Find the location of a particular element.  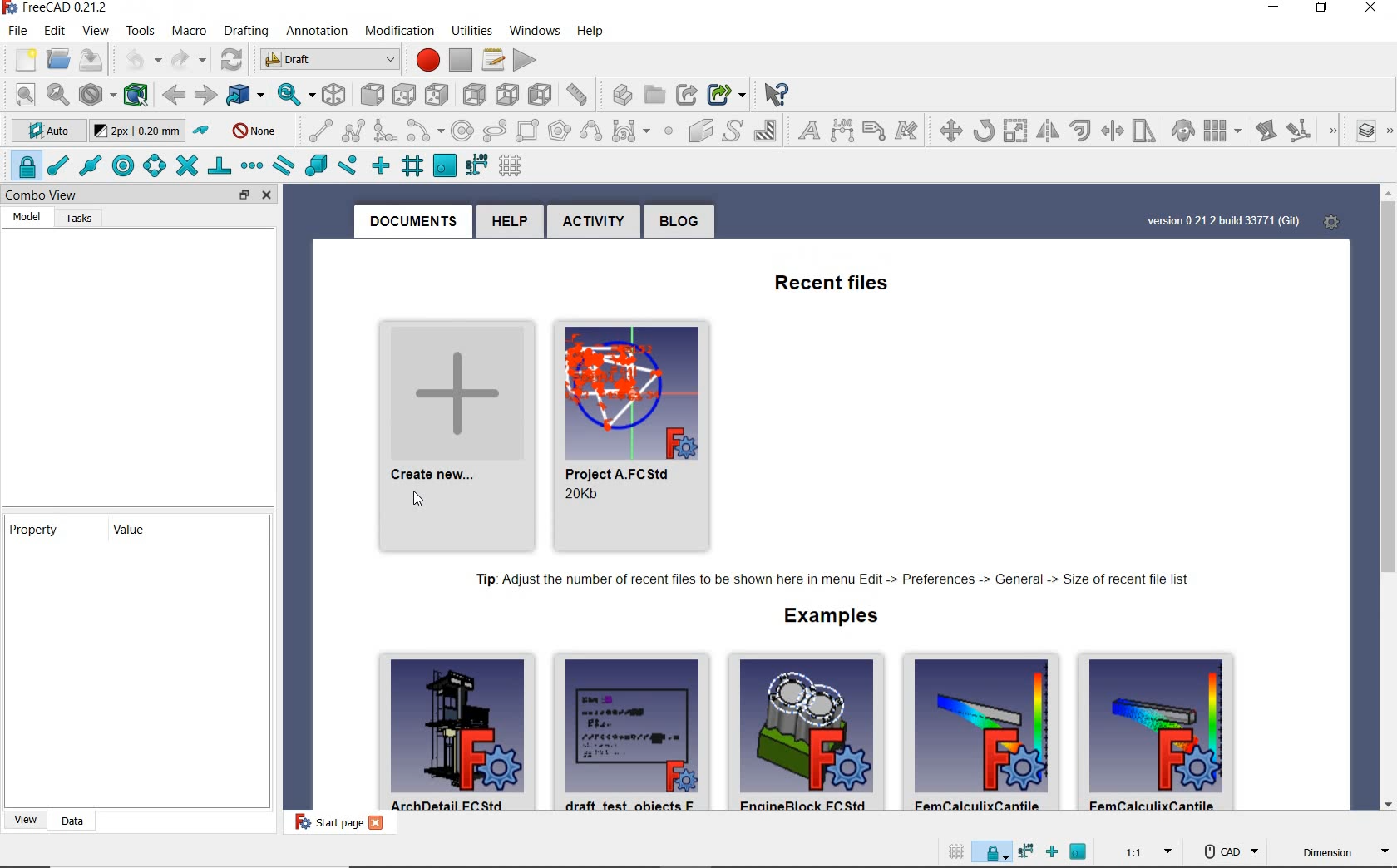

open is located at coordinates (56, 57).